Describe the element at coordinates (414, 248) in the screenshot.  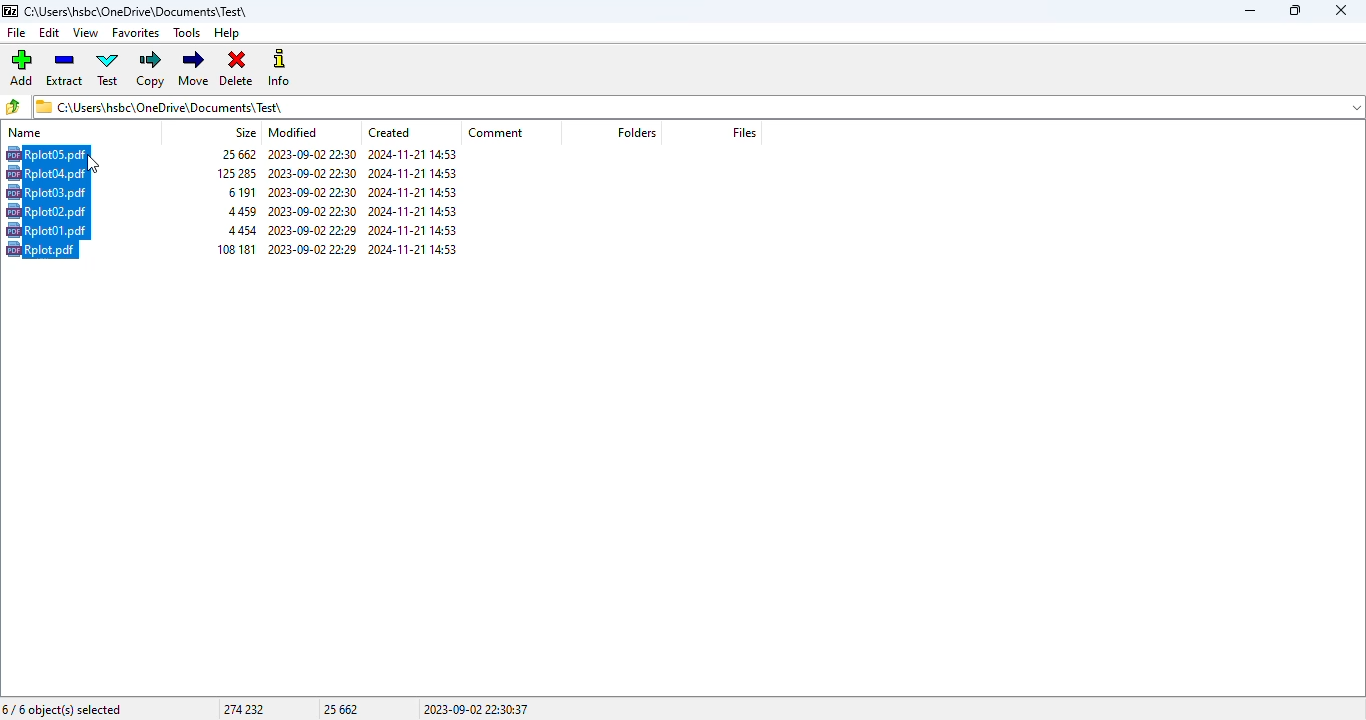
I see `created date & time` at that location.